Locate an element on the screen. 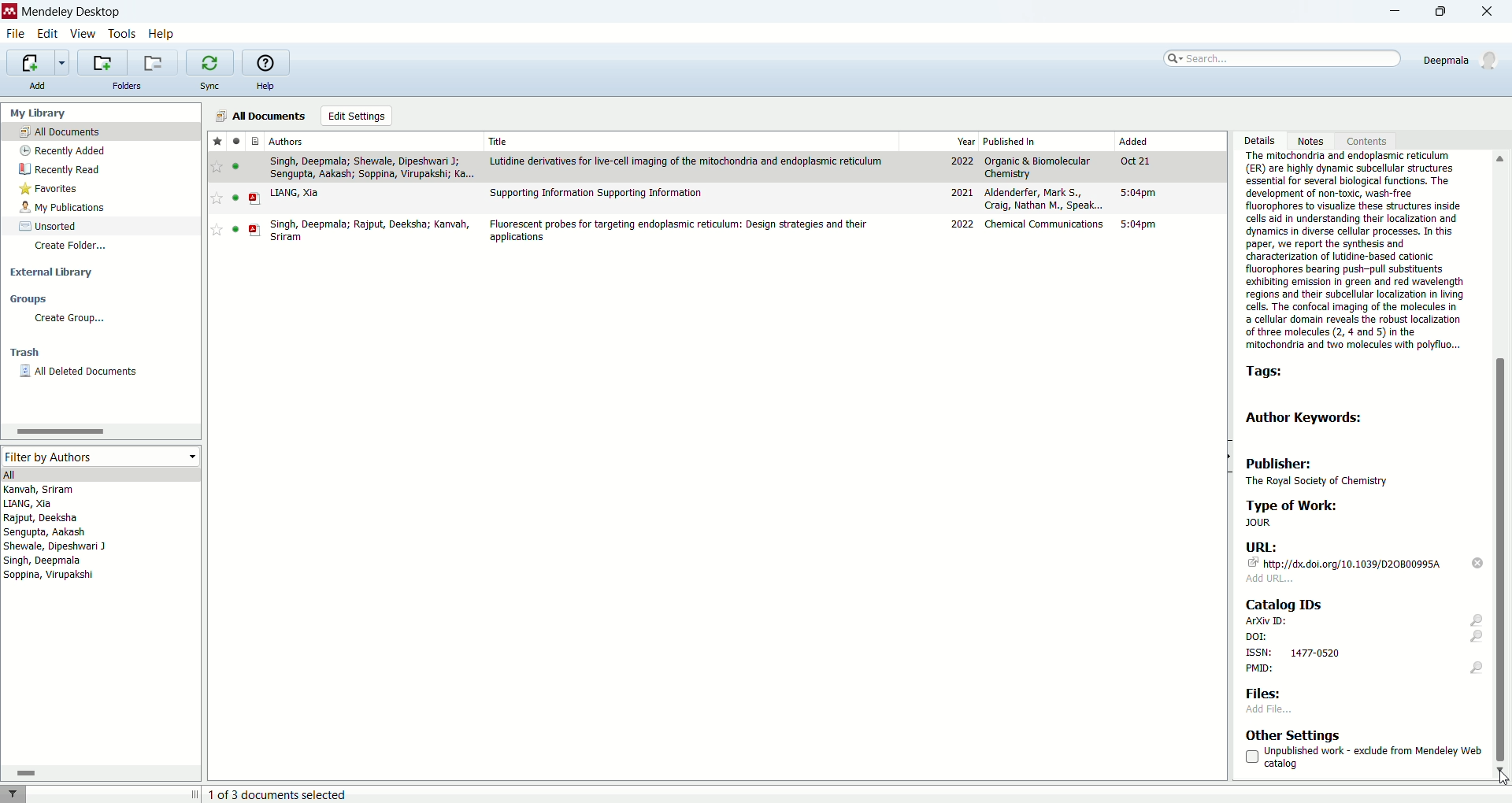 This screenshot has width=1512, height=803. ISSN: 1477-0520 is located at coordinates (1295, 652).